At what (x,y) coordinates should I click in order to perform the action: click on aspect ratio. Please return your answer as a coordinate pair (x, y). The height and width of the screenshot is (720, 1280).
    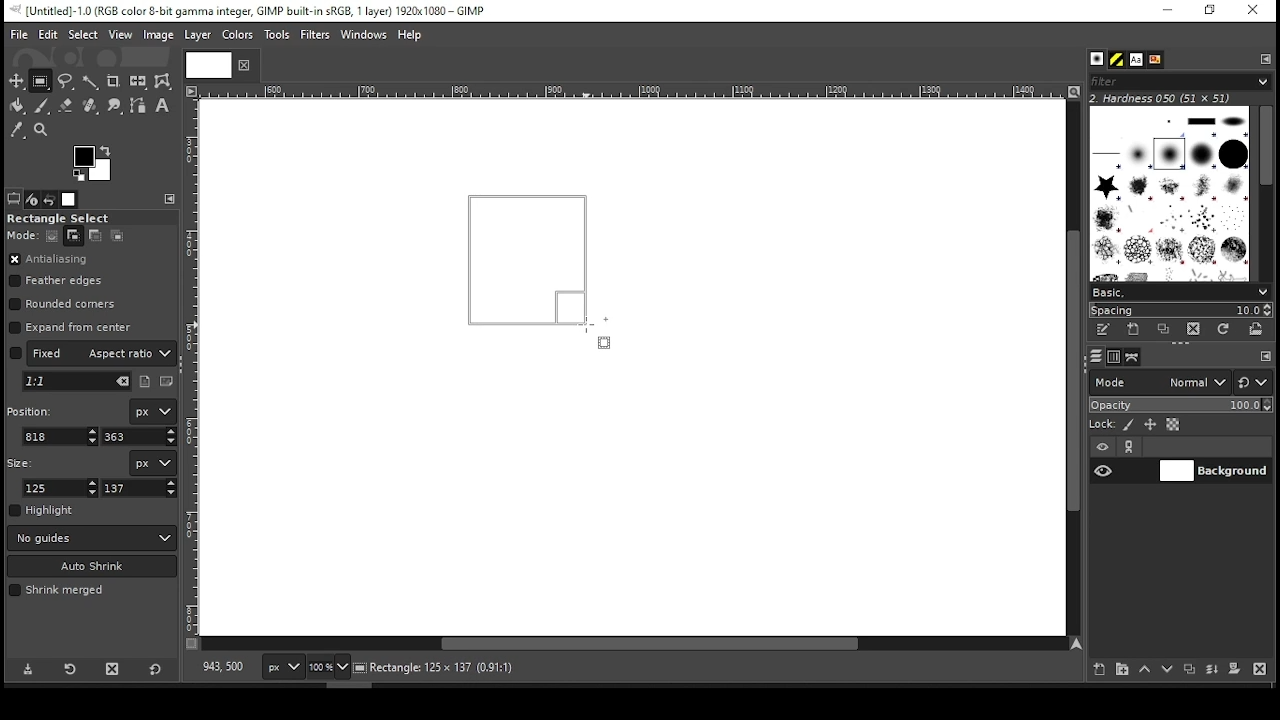
    Looking at the image, I should click on (93, 352).